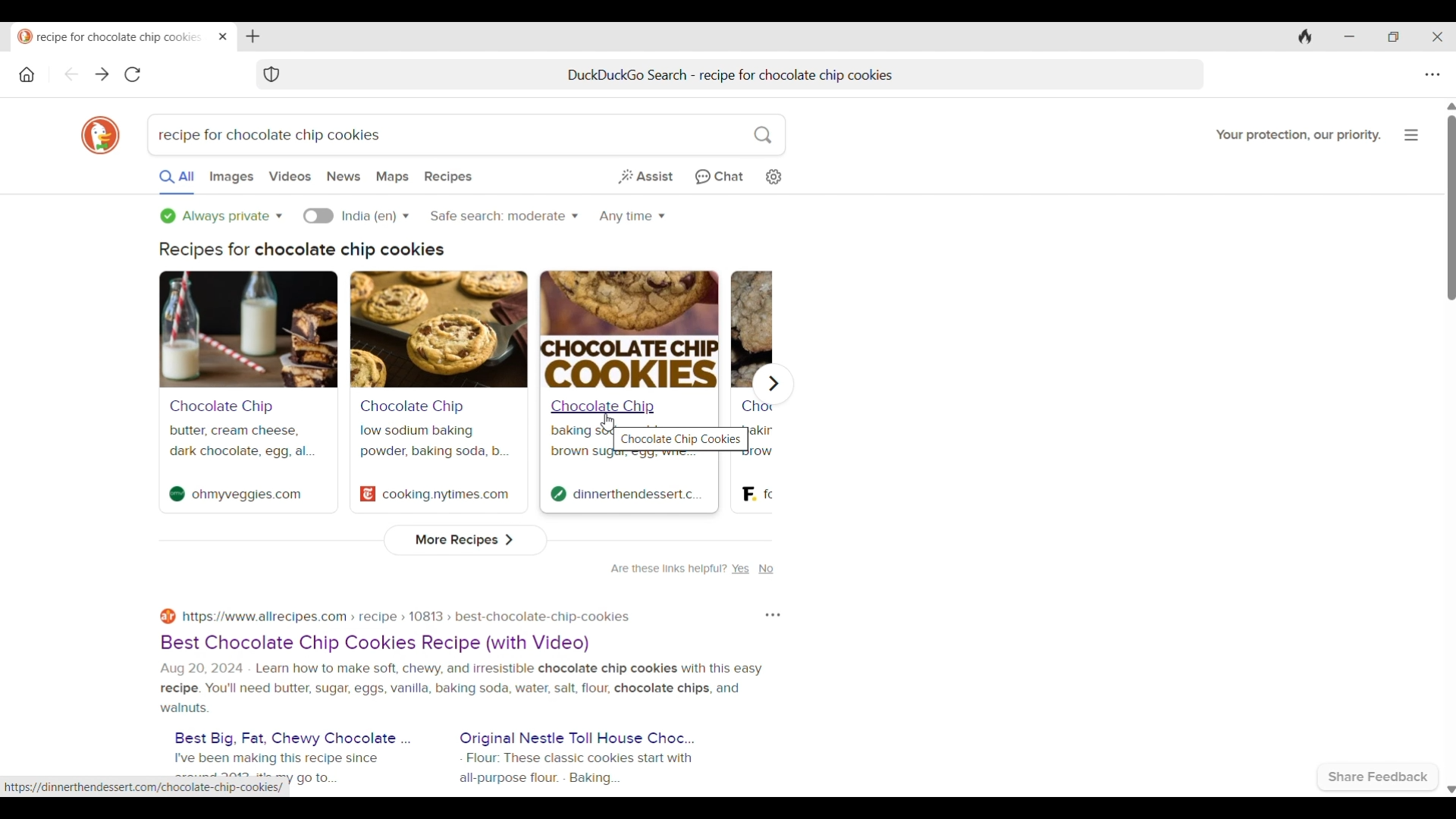 This screenshot has width=1456, height=819. I want to click on brown sug, so click(581, 451).